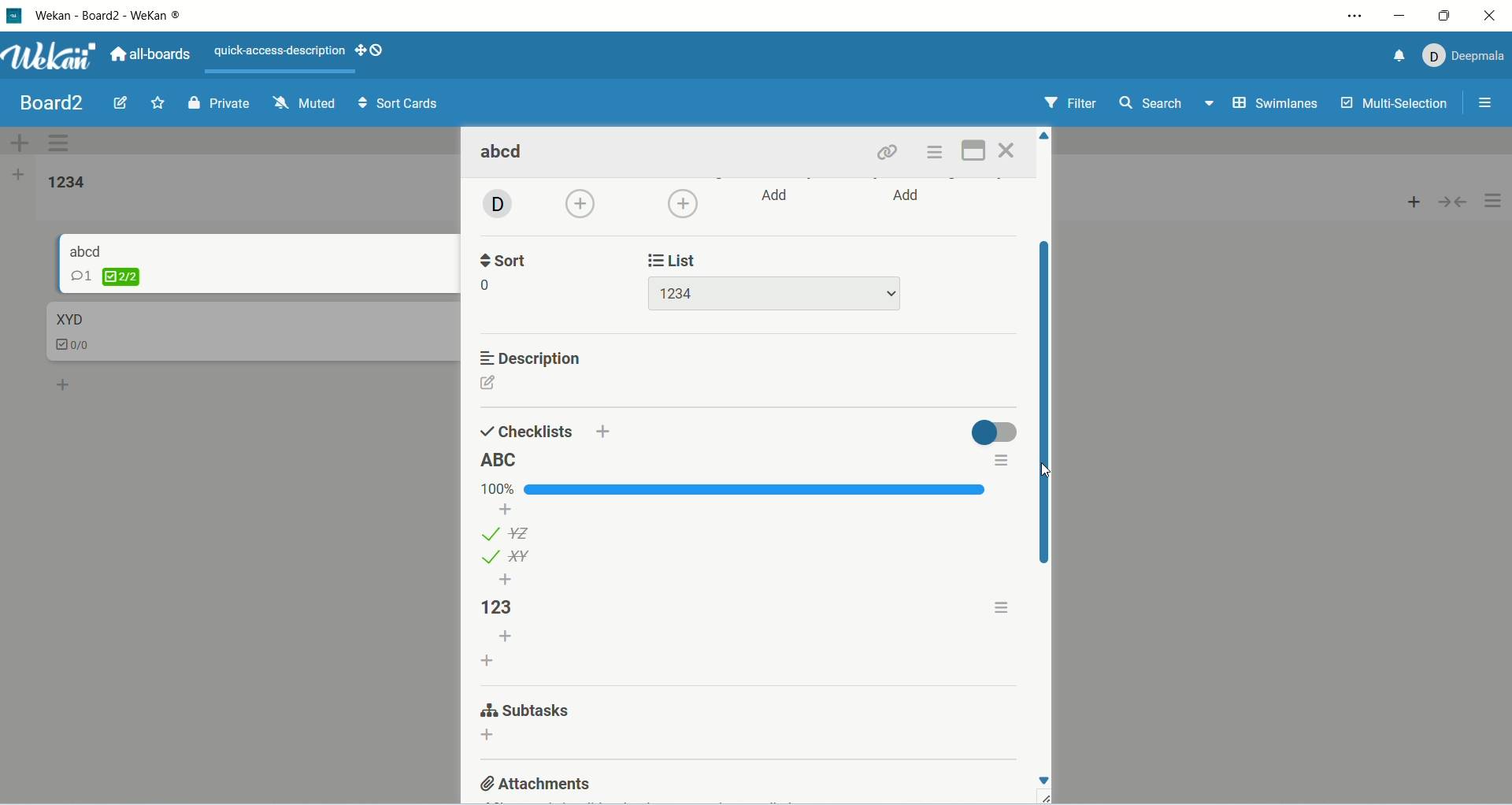 This screenshot has width=1512, height=805. Describe the element at coordinates (999, 462) in the screenshot. I see `options` at that location.